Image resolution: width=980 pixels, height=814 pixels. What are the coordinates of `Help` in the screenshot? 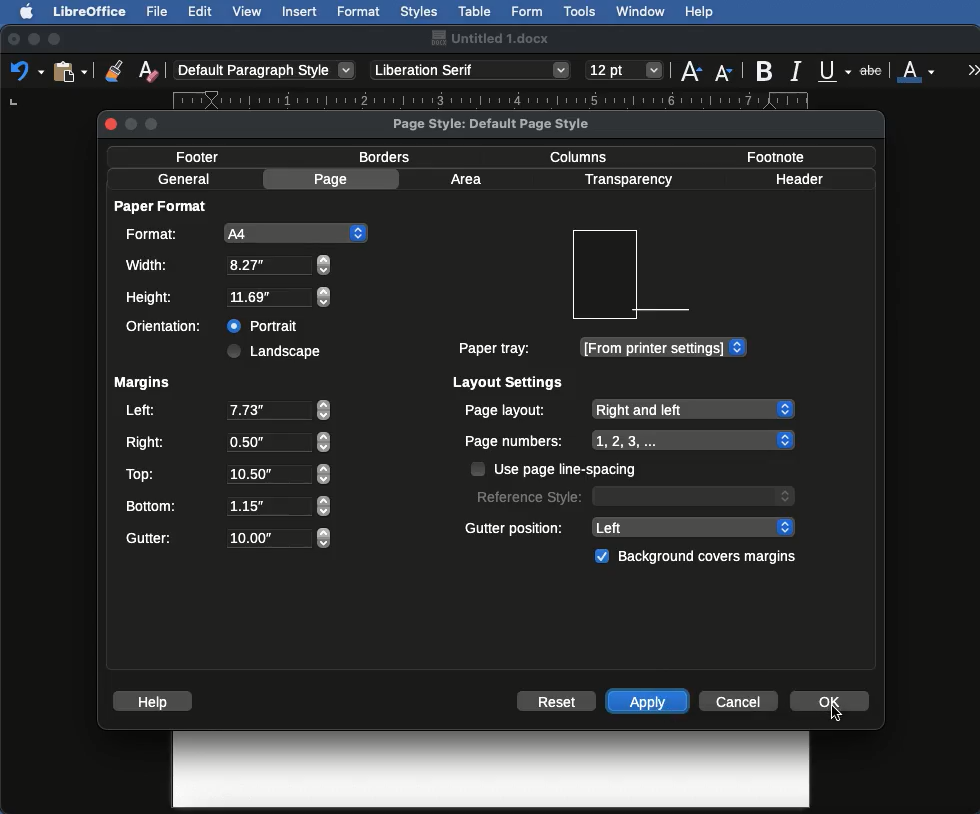 It's located at (156, 701).